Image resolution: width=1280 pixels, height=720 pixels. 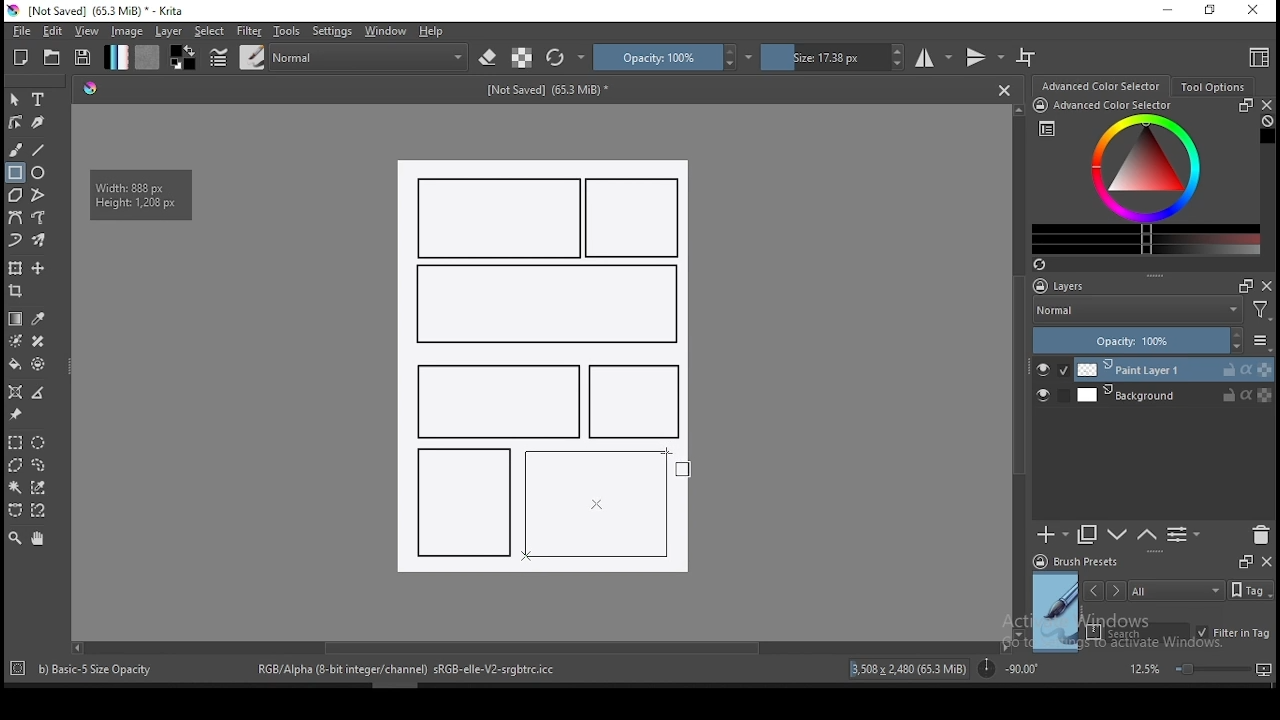 What do you see at coordinates (833, 57) in the screenshot?
I see `size` at bounding box center [833, 57].